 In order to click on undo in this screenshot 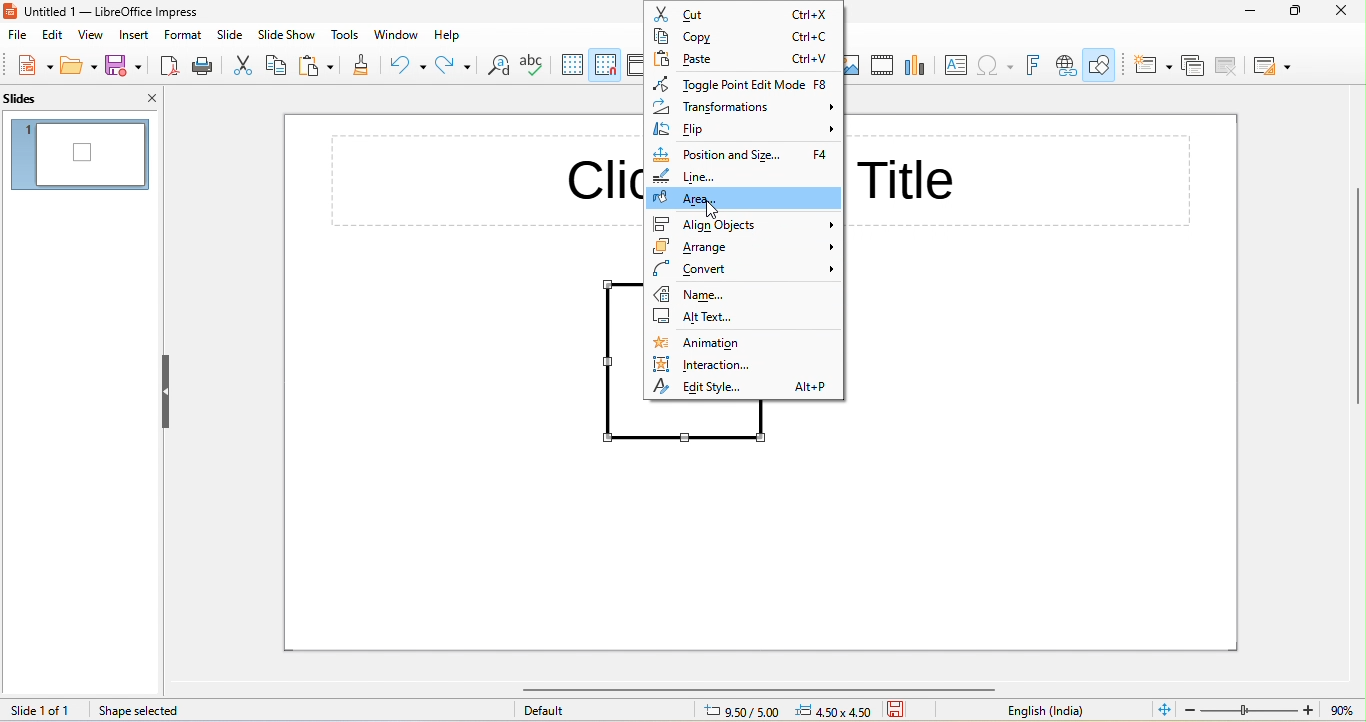, I will do `click(407, 64)`.